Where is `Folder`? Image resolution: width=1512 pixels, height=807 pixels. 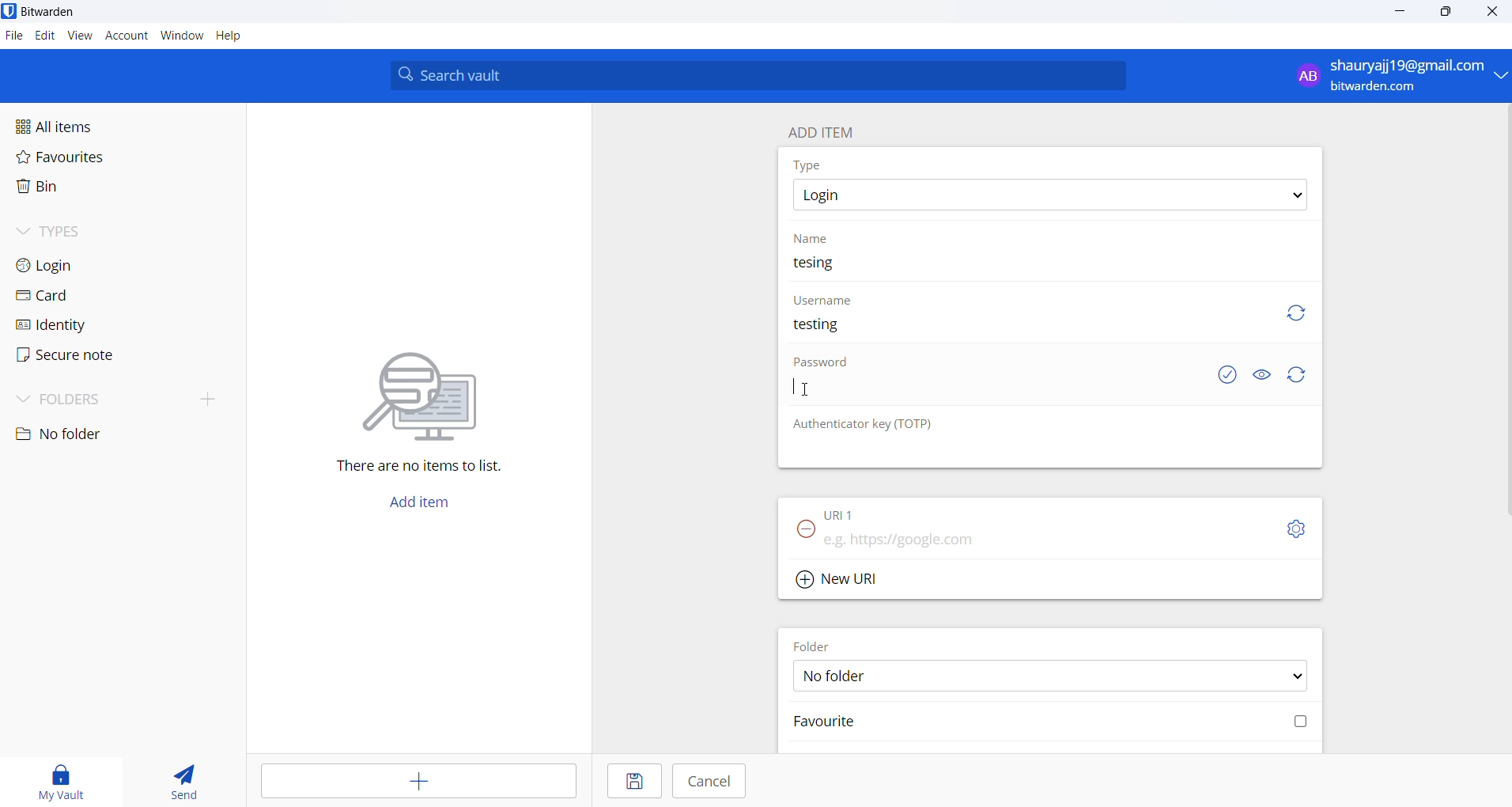 Folder is located at coordinates (818, 643).